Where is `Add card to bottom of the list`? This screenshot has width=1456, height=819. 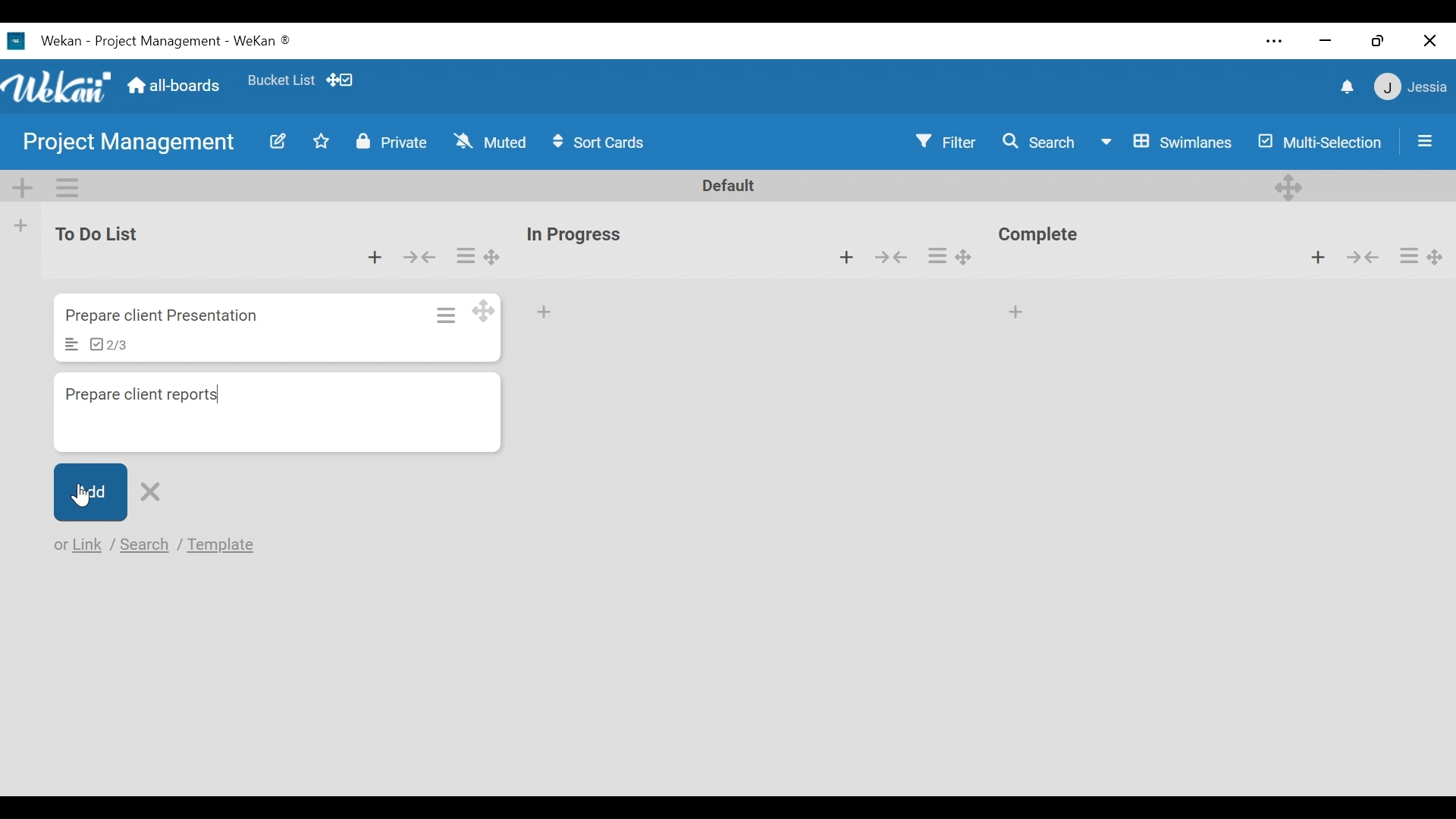 Add card to bottom of the list is located at coordinates (1018, 308).